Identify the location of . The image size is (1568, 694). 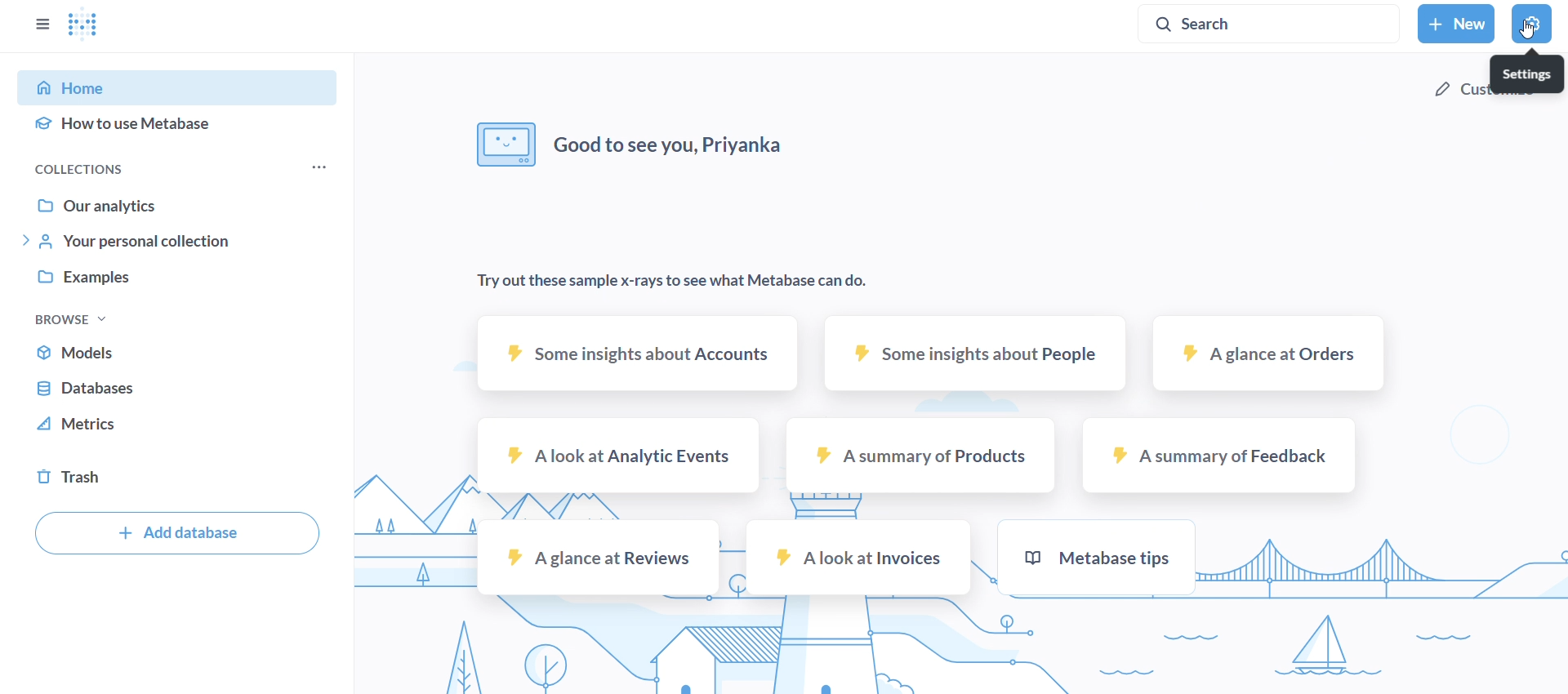
(181, 242).